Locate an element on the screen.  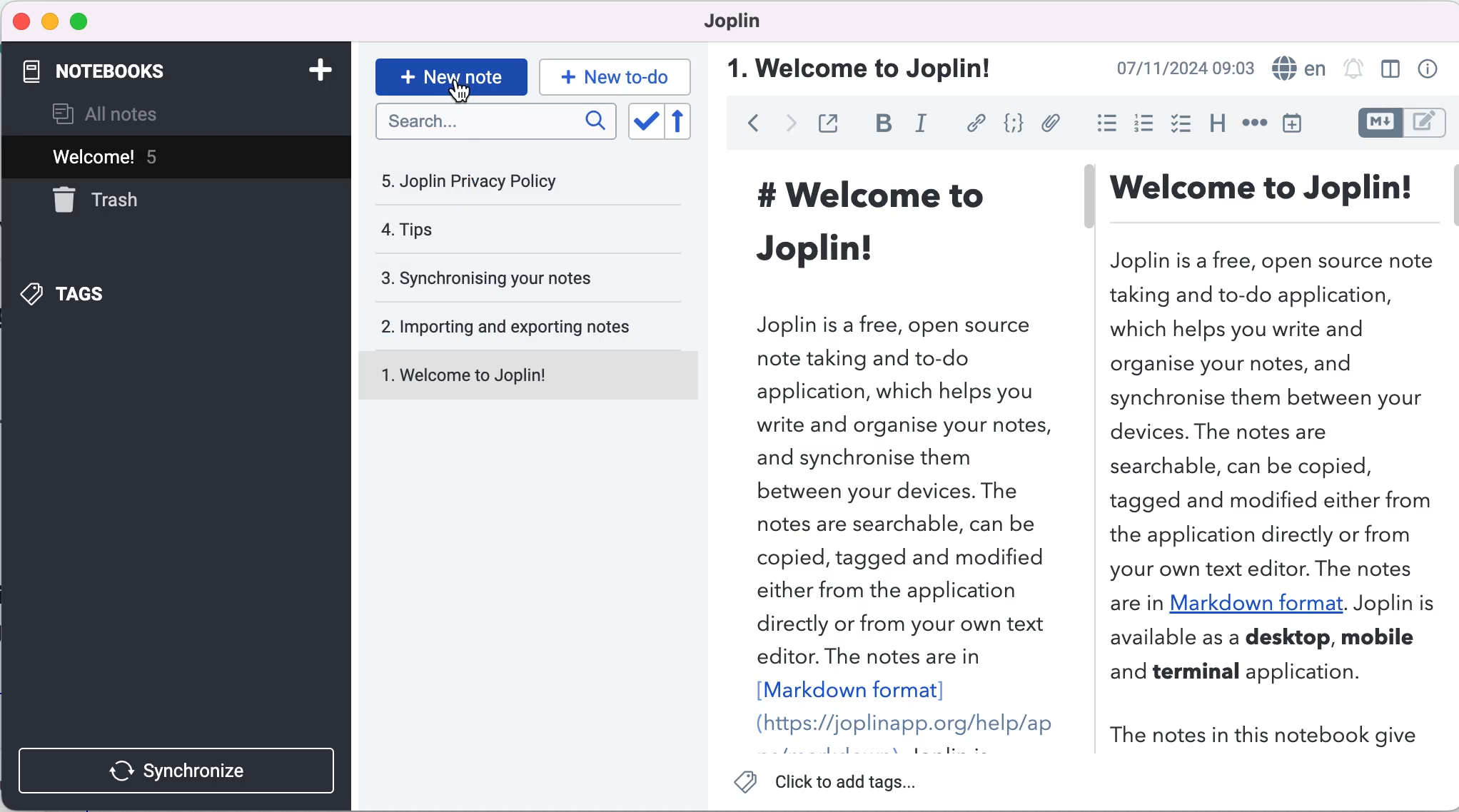
set alarm is located at coordinates (1353, 70).